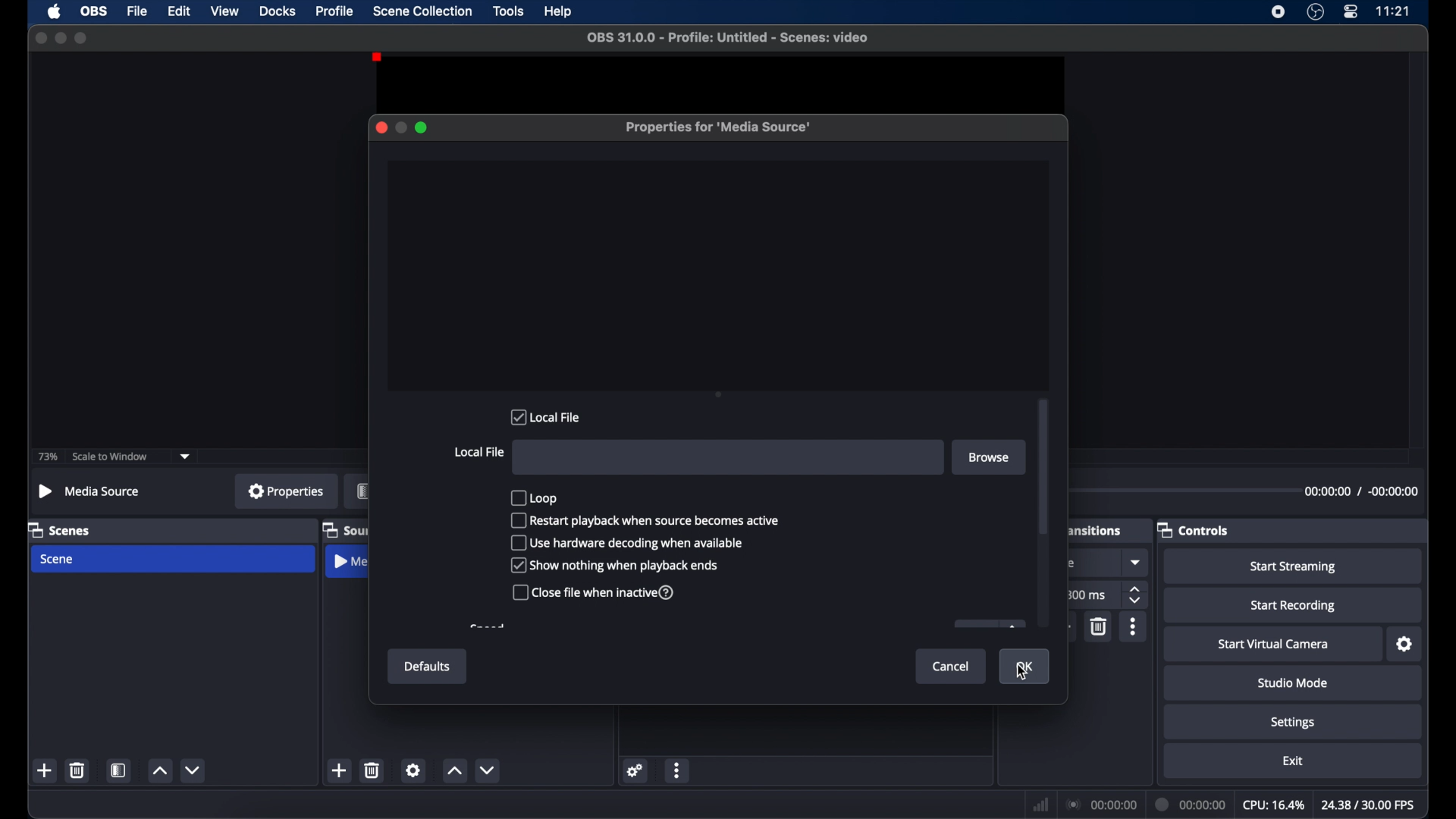  Describe the element at coordinates (278, 11) in the screenshot. I see `docks` at that location.